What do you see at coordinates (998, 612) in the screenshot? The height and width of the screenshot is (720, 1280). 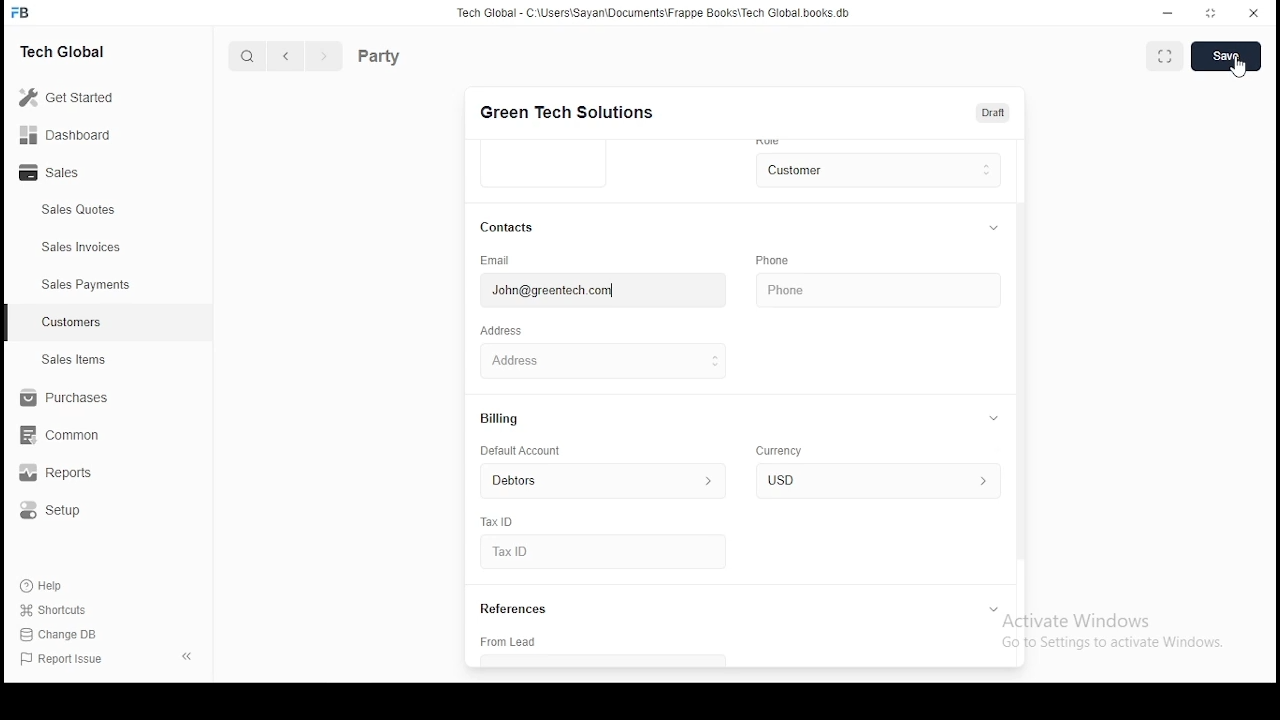 I see `collapse` at bounding box center [998, 612].